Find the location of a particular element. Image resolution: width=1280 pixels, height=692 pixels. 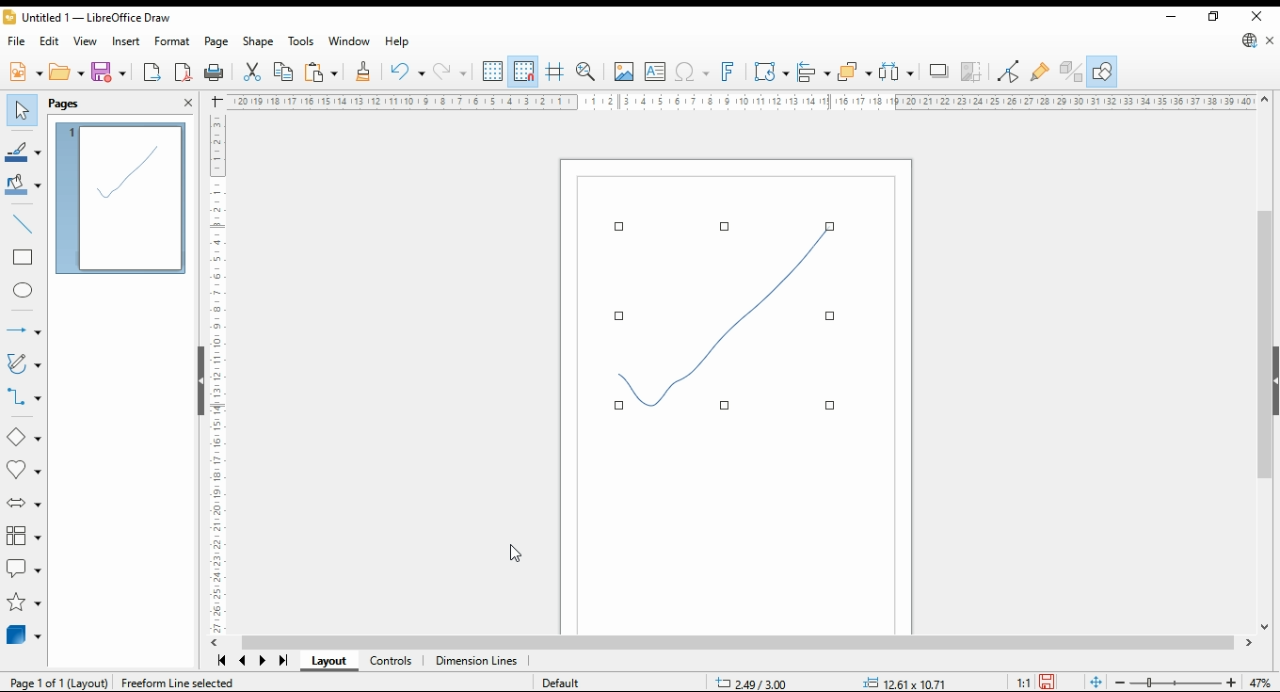

flowchart is located at coordinates (24, 537).